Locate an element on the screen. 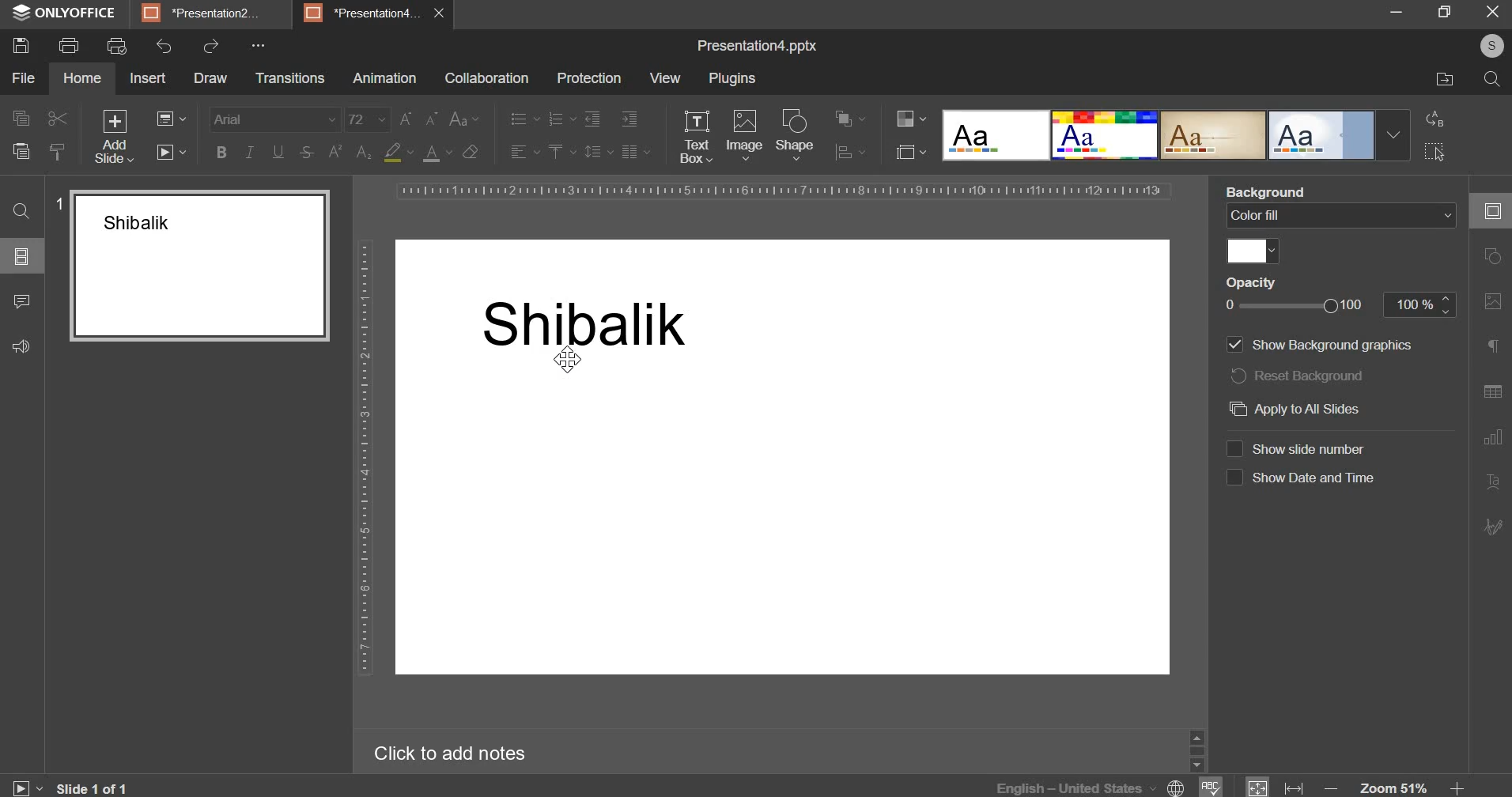 Image resolution: width=1512 pixels, height=797 pixels.  is located at coordinates (1491, 531).